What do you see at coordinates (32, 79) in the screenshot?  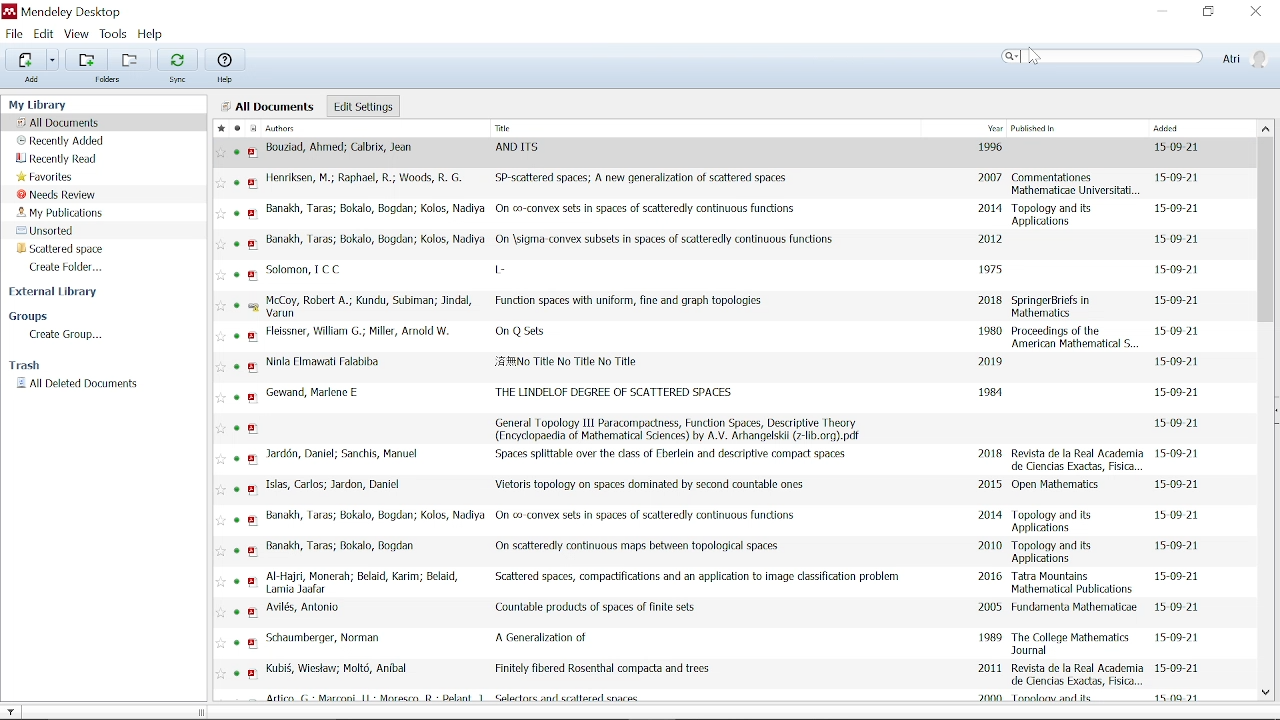 I see `Add` at bounding box center [32, 79].